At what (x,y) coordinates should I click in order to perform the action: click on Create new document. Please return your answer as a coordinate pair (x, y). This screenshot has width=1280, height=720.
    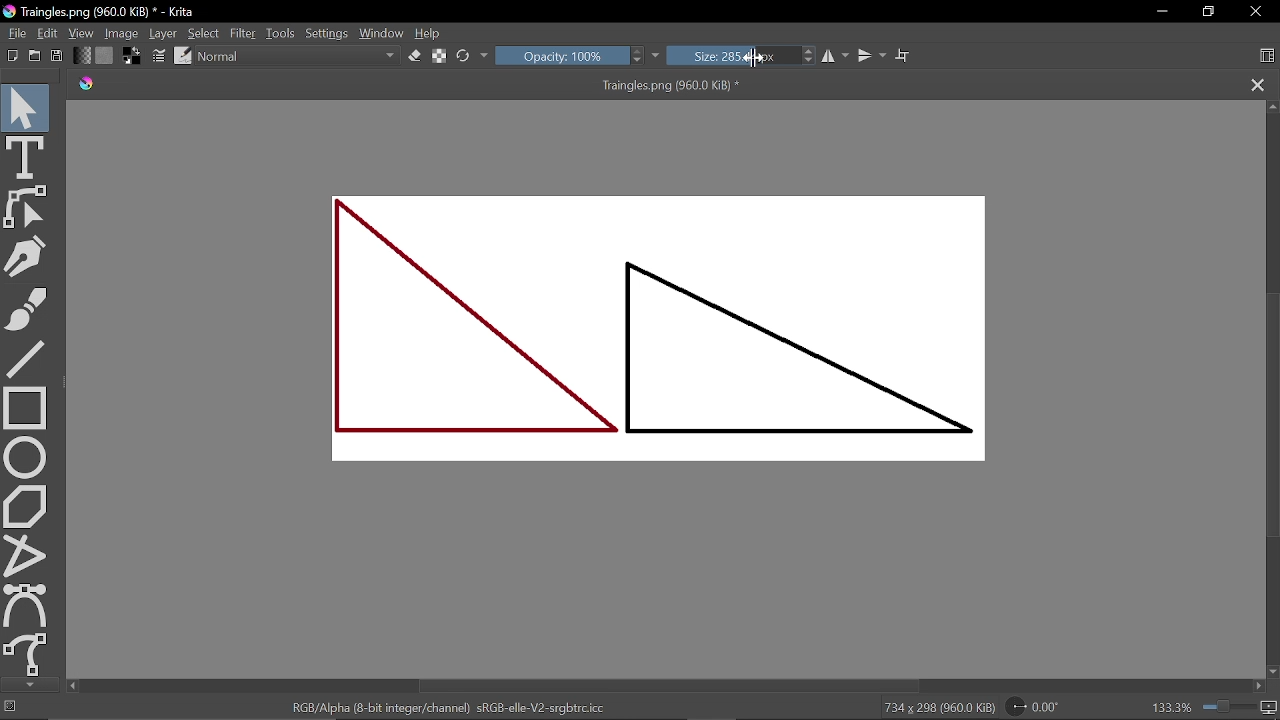
    Looking at the image, I should click on (13, 55).